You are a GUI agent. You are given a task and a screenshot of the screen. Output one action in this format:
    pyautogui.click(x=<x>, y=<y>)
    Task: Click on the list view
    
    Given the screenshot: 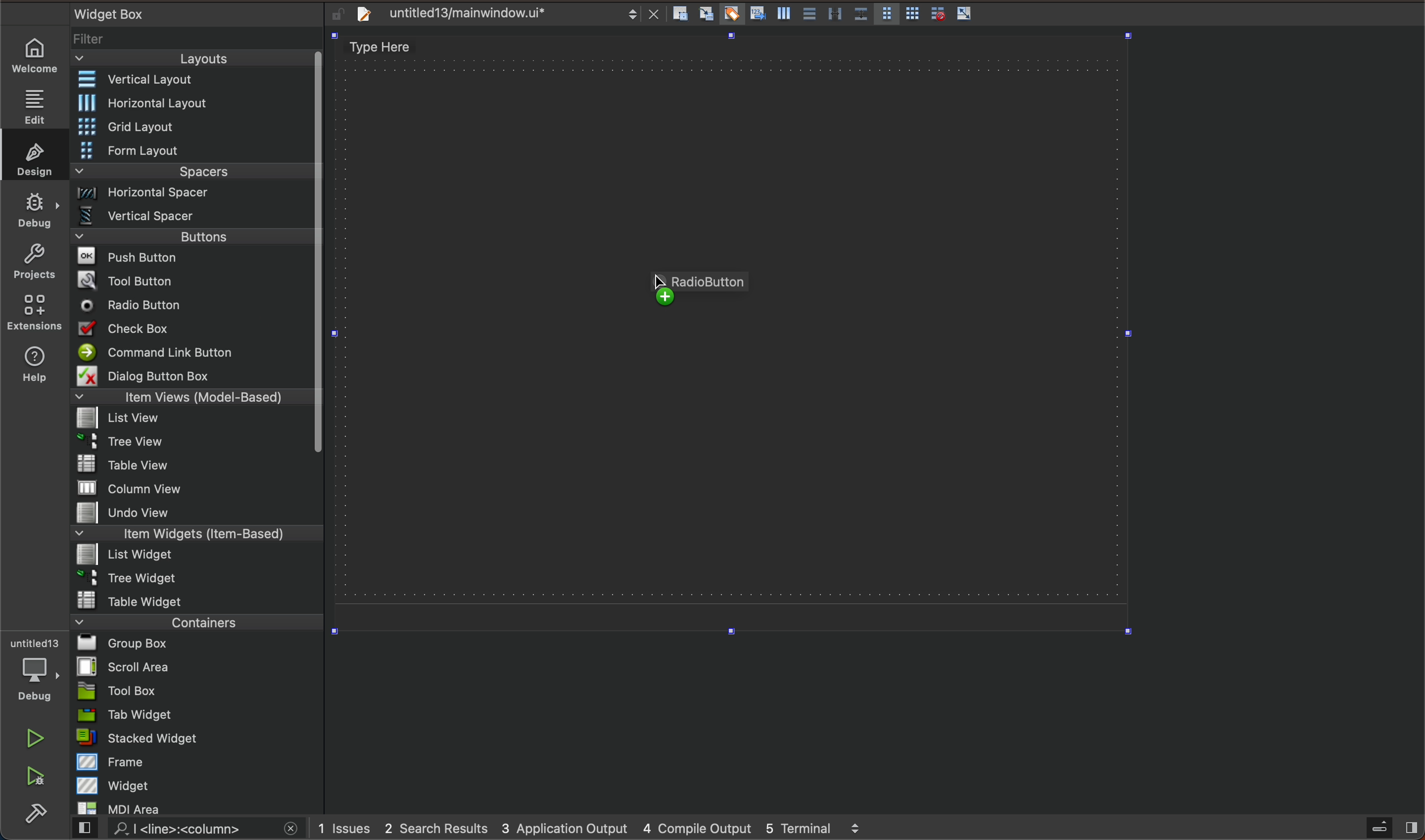 What is the action you would take?
    pyautogui.click(x=190, y=422)
    